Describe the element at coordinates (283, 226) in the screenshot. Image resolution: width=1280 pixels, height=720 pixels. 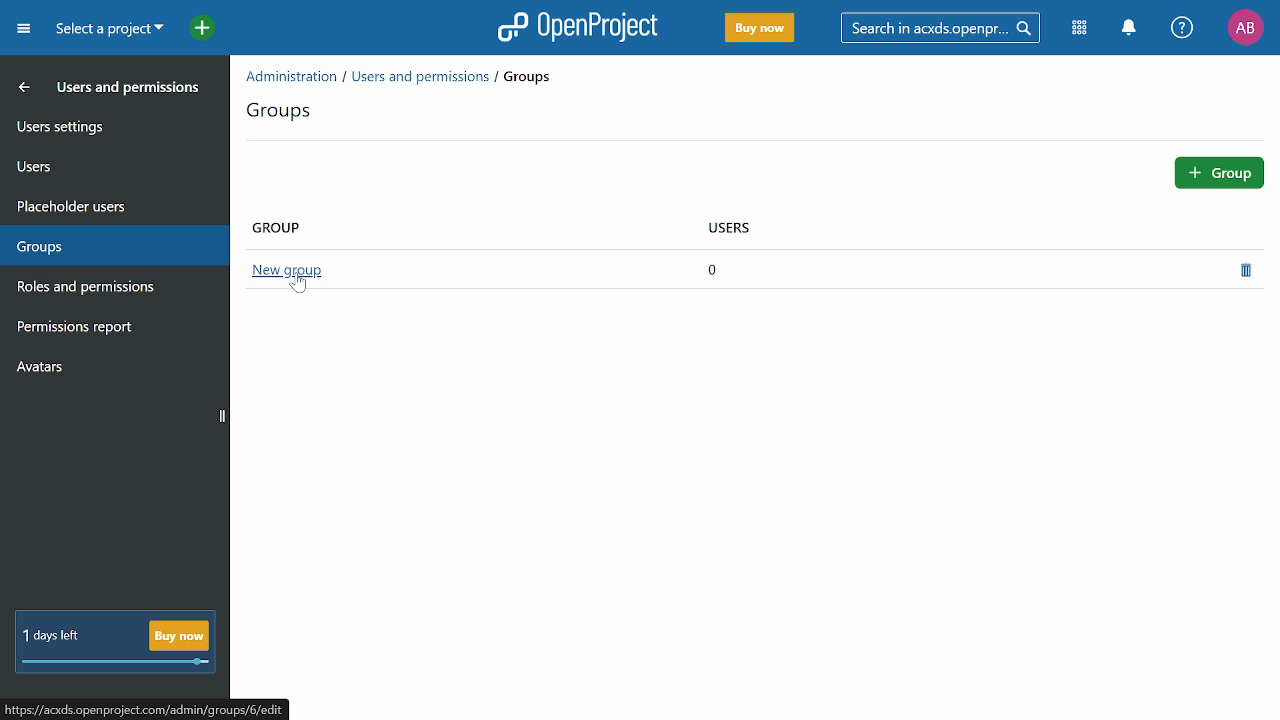
I see `group` at that location.